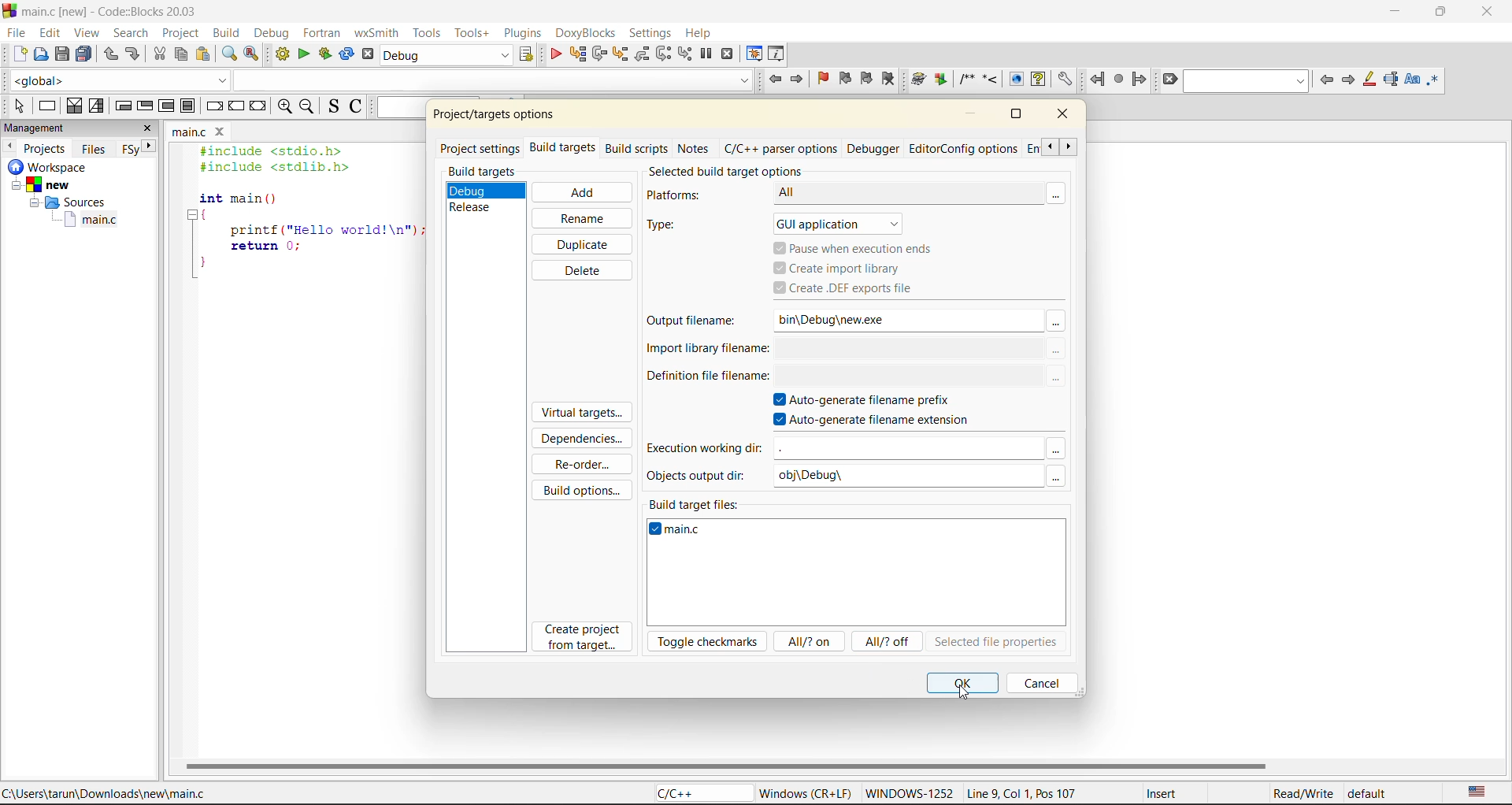 This screenshot has height=805, width=1512. What do you see at coordinates (689, 195) in the screenshot?
I see `platforns` at bounding box center [689, 195].